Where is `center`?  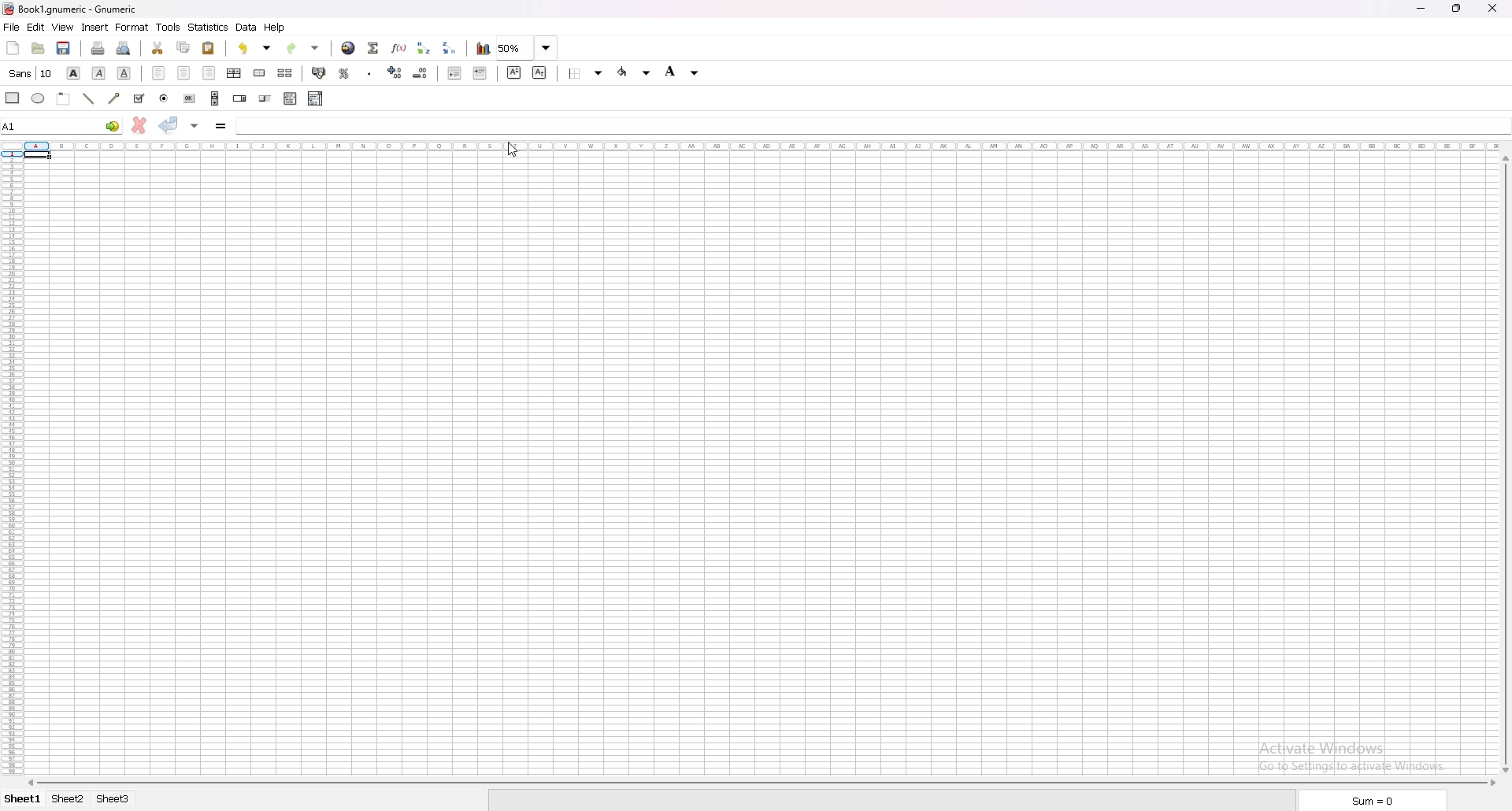 center is located at coordinates (184, 72).